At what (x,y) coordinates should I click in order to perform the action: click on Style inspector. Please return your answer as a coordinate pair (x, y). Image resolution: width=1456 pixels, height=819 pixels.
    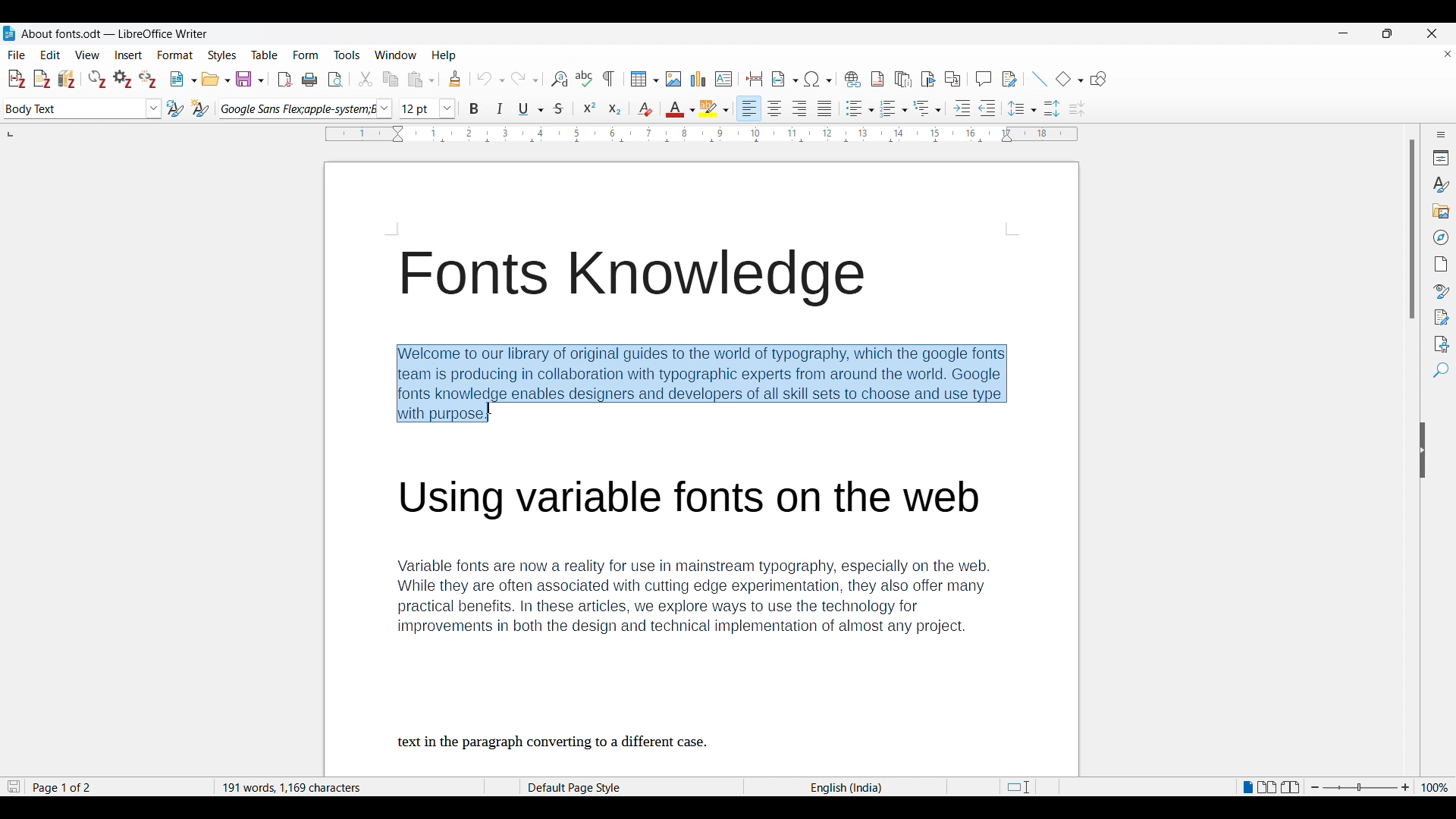
    Looking at the image, I should click on (1442, 291).